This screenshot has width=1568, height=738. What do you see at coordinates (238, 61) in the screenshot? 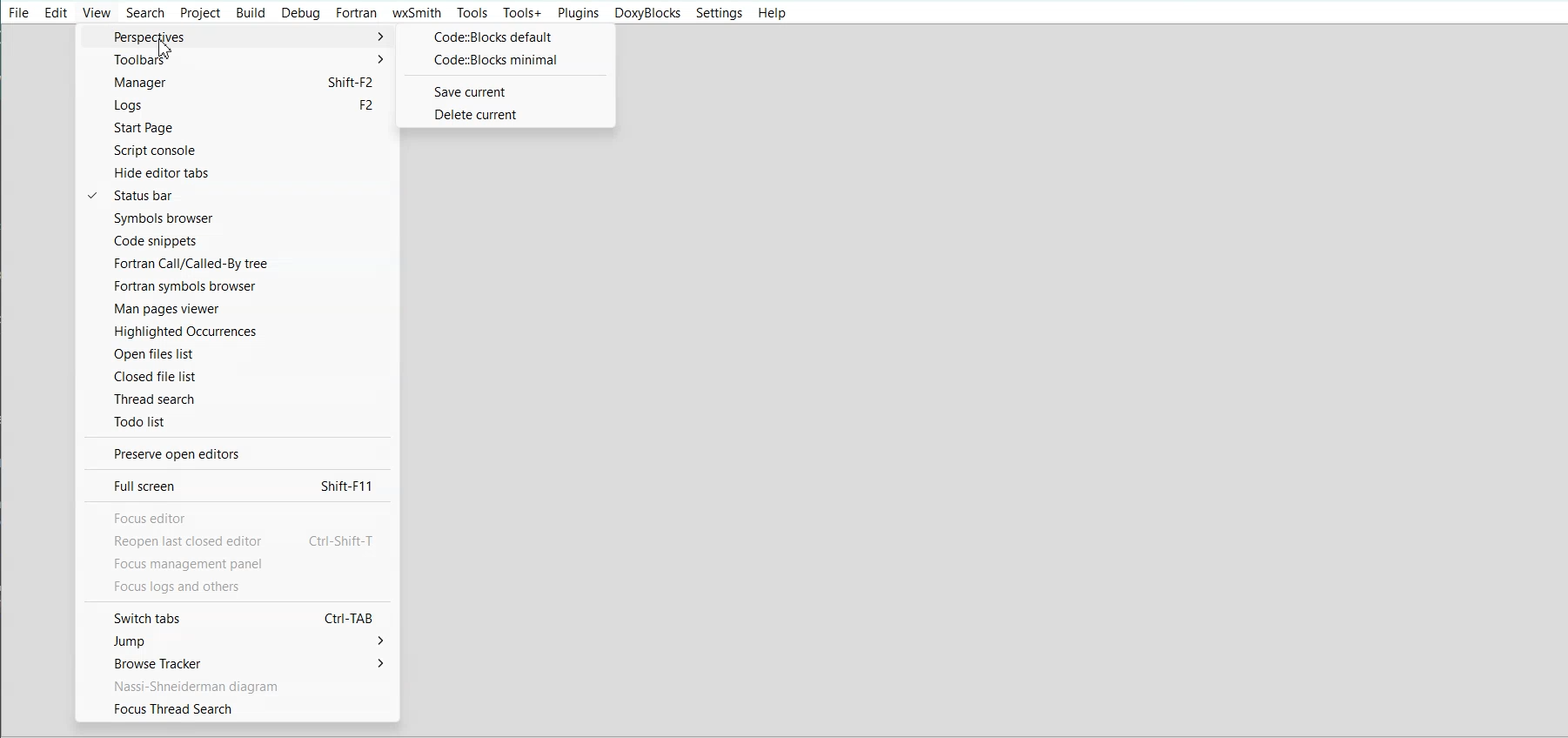
I see `Toolbars` at bounding box center [238, 61].